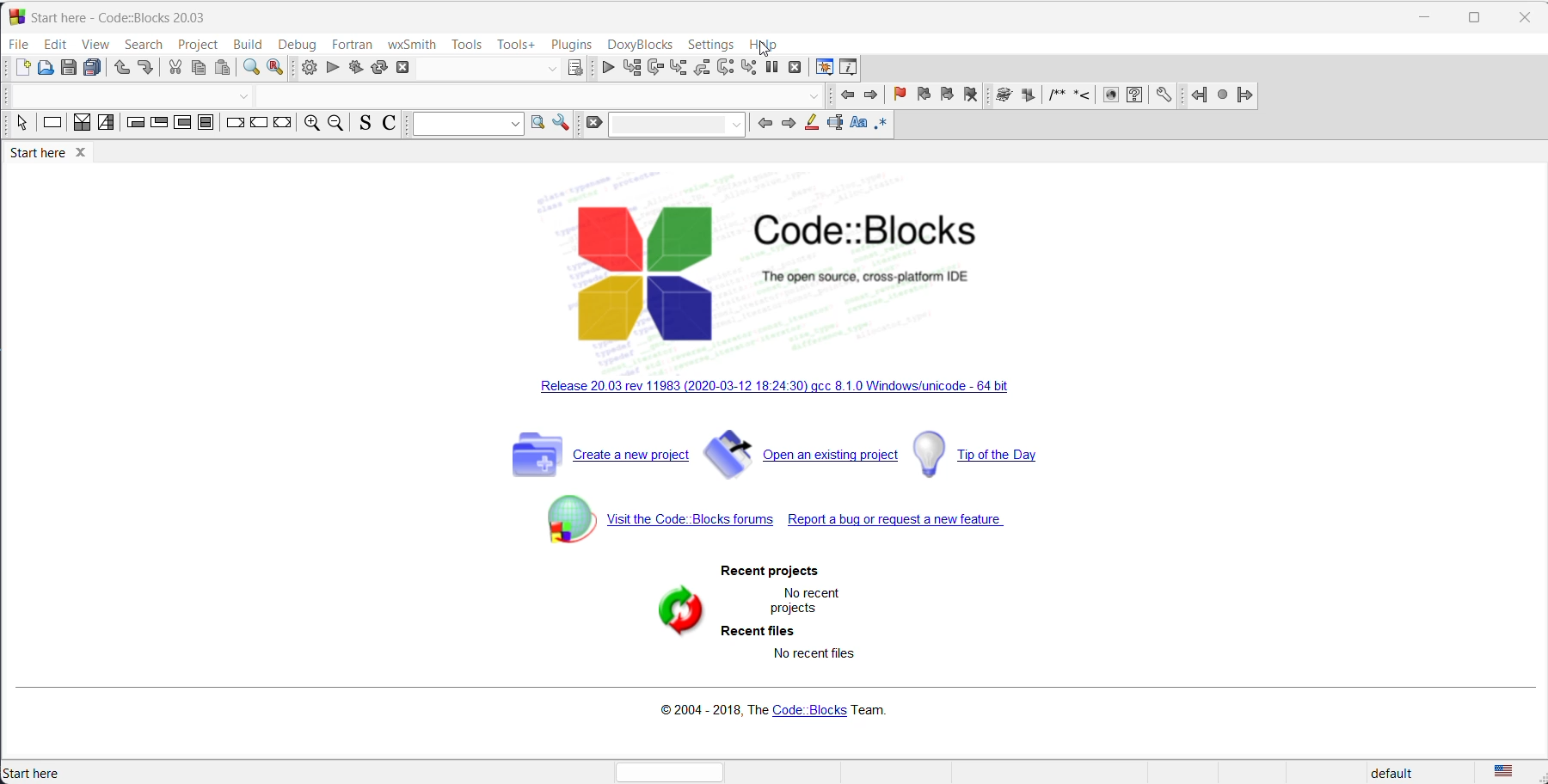  I want to click on step into instruction, so click(746, 69).